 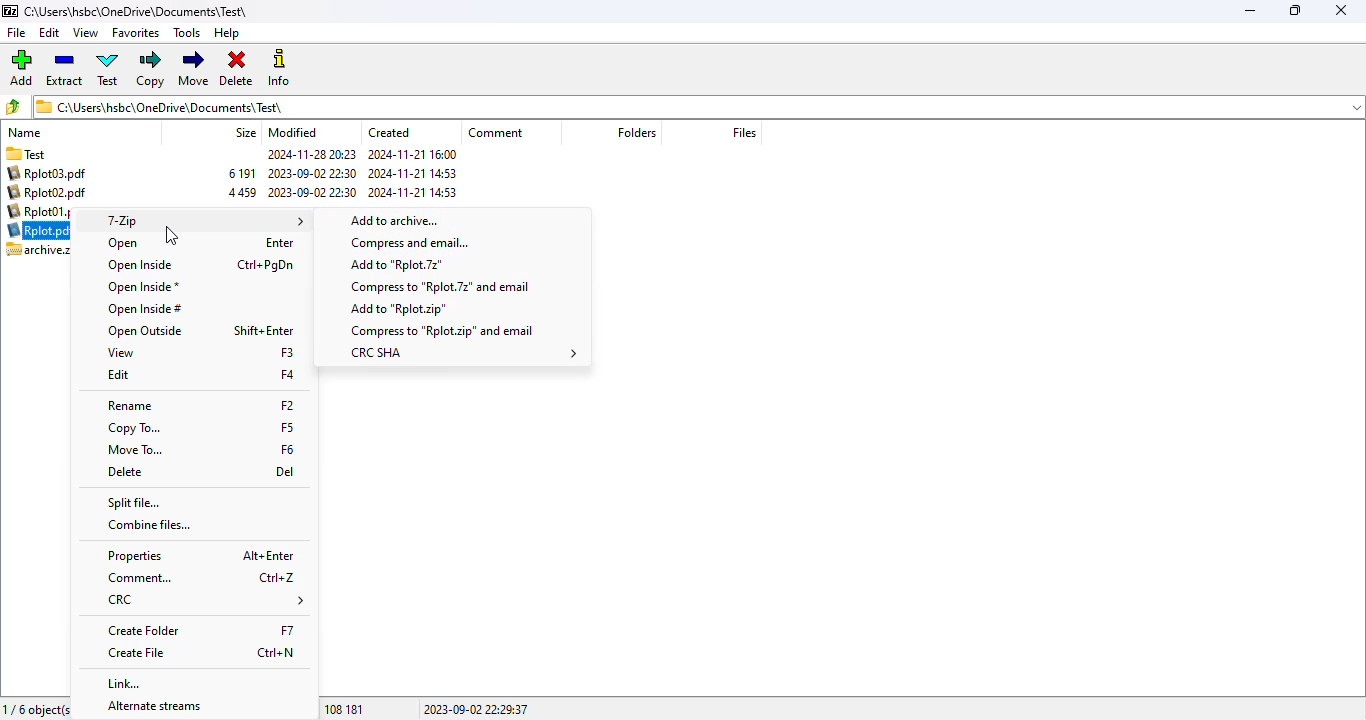 I want to click on rename, so click(x=131, y=405).